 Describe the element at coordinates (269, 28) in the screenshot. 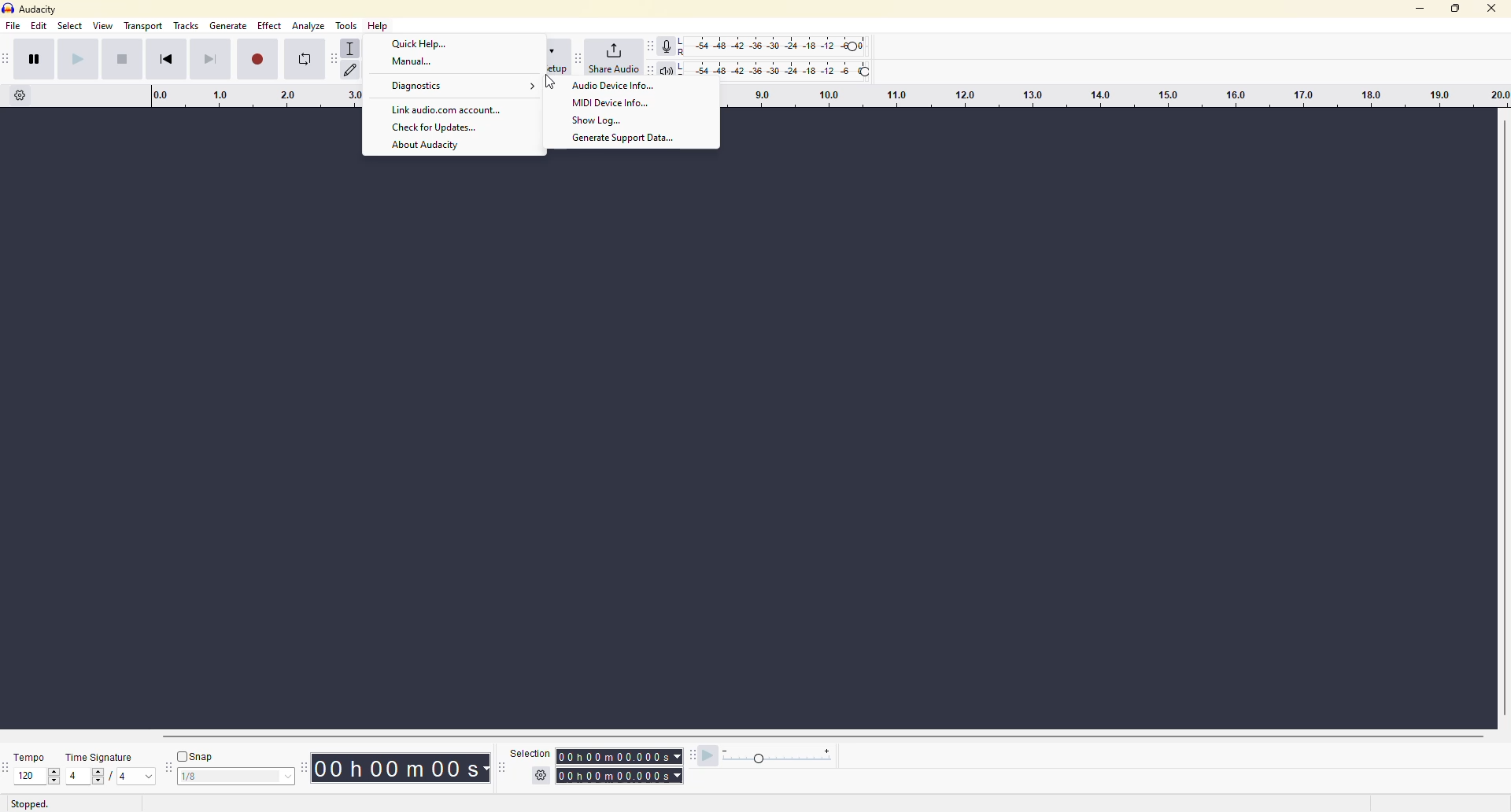

I see `effect` at that location.